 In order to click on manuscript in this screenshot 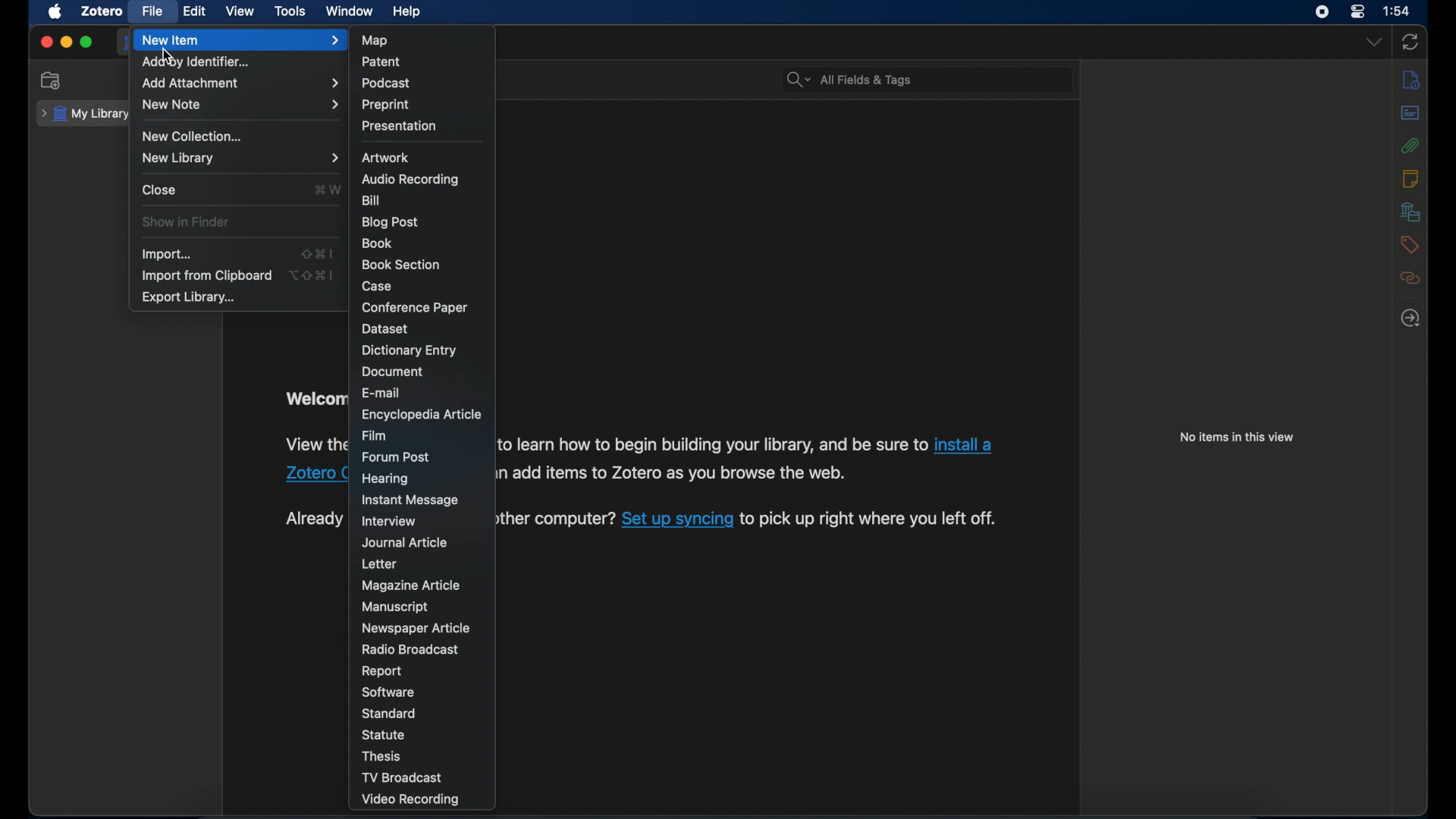, I will do `click(394, 607)`.